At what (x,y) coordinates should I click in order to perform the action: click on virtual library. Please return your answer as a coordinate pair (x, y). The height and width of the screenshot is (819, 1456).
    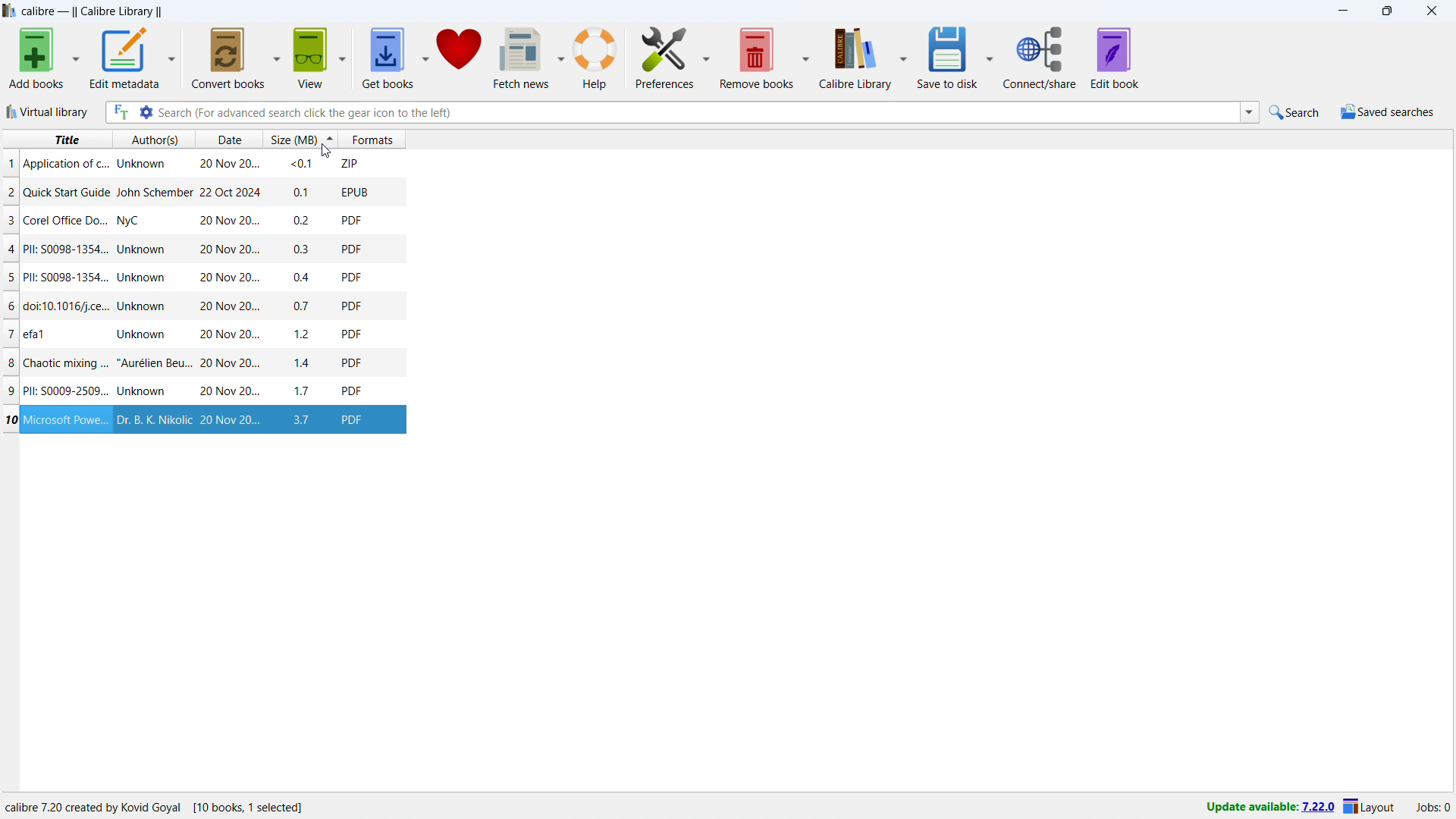
    Looking at the image, I should click on (48, 112).